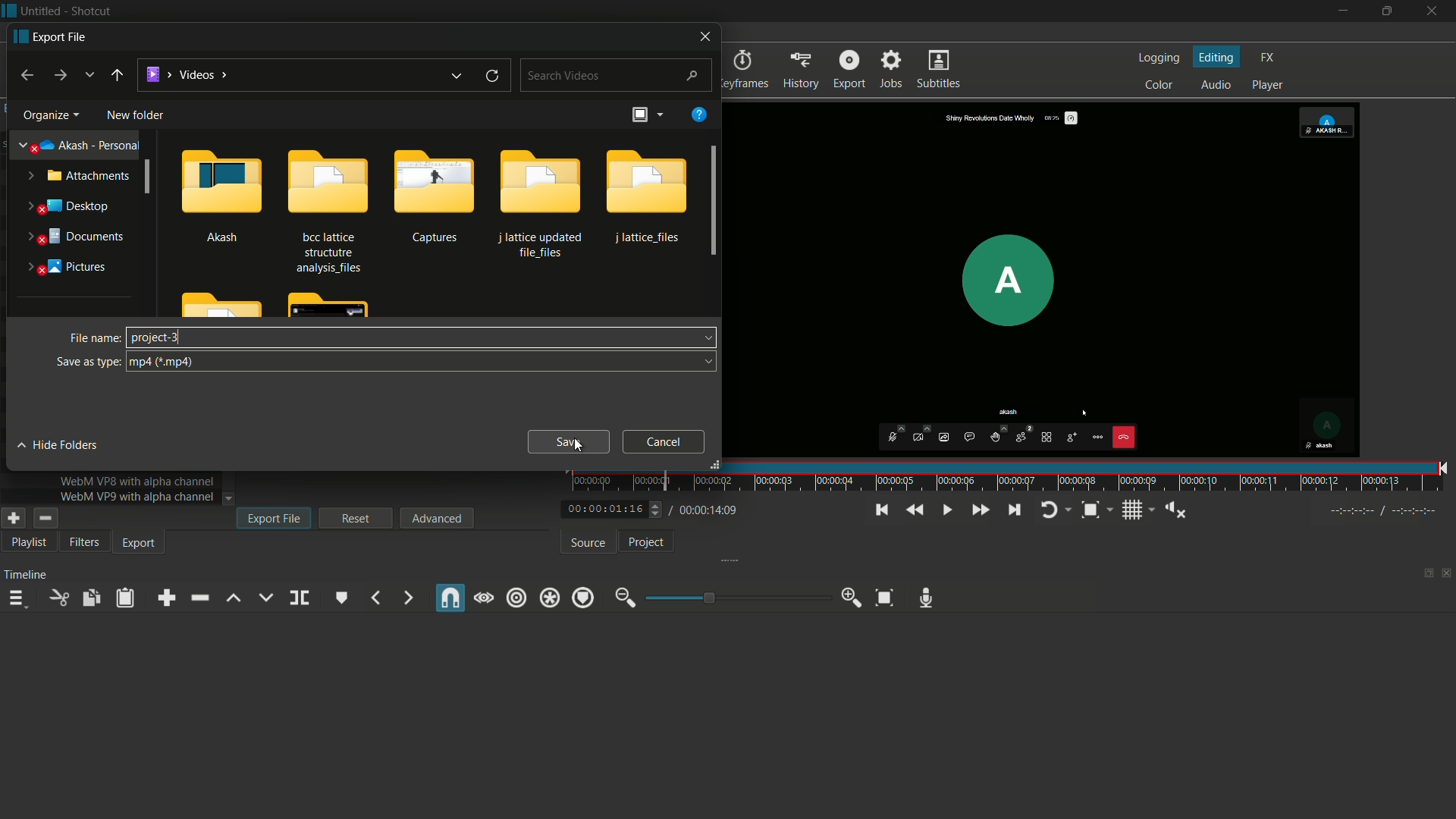 The width and height of the screenshot is (1456, 819). What do you see at coordinates (78, 175) in the screenshot?
I see `attachments` at bounding box center [78, 175].